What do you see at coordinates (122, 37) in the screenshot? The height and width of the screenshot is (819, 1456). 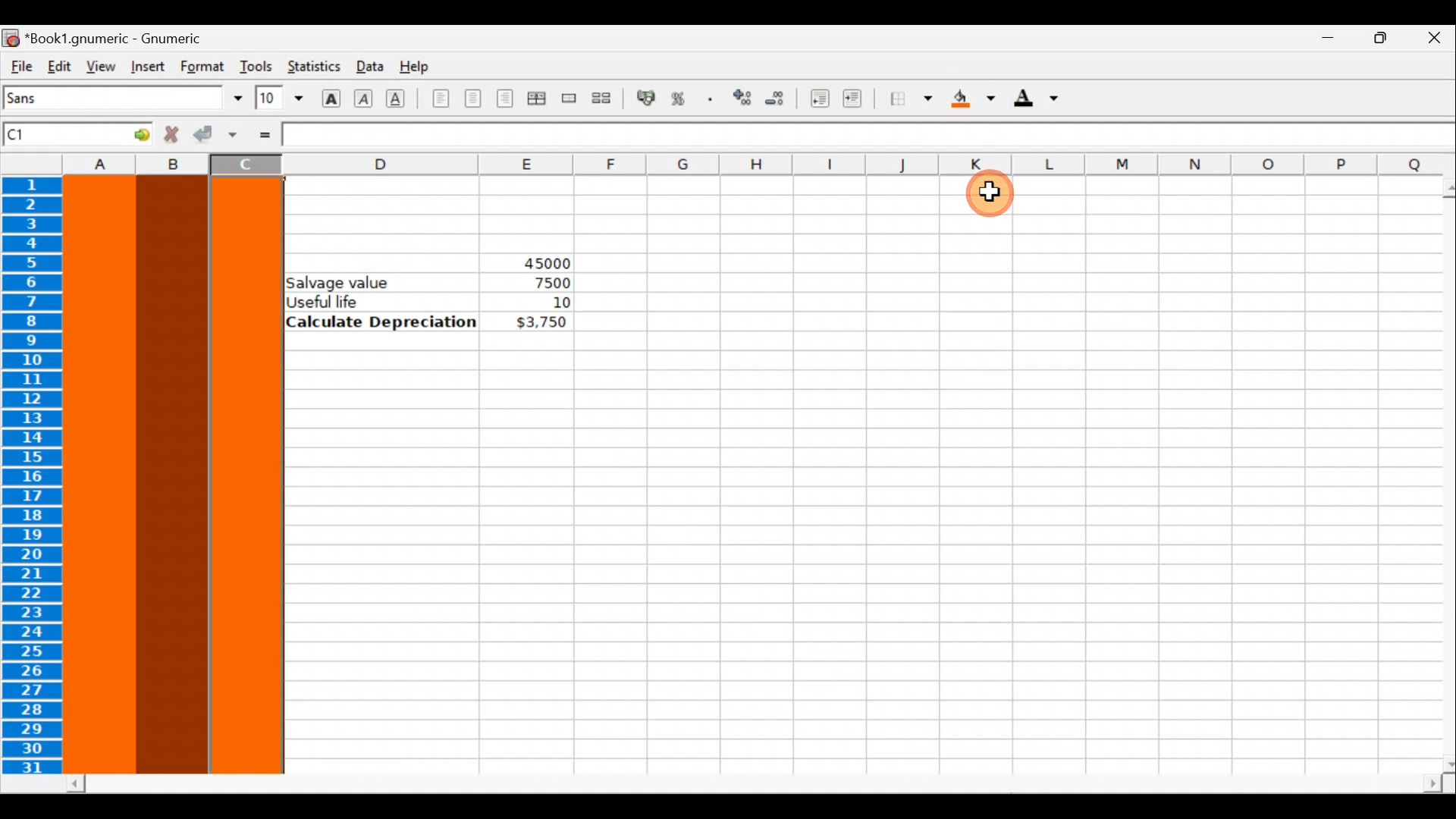 I see `Book1.gnumeric - Gnumeric` at bounding box center [122, 37].